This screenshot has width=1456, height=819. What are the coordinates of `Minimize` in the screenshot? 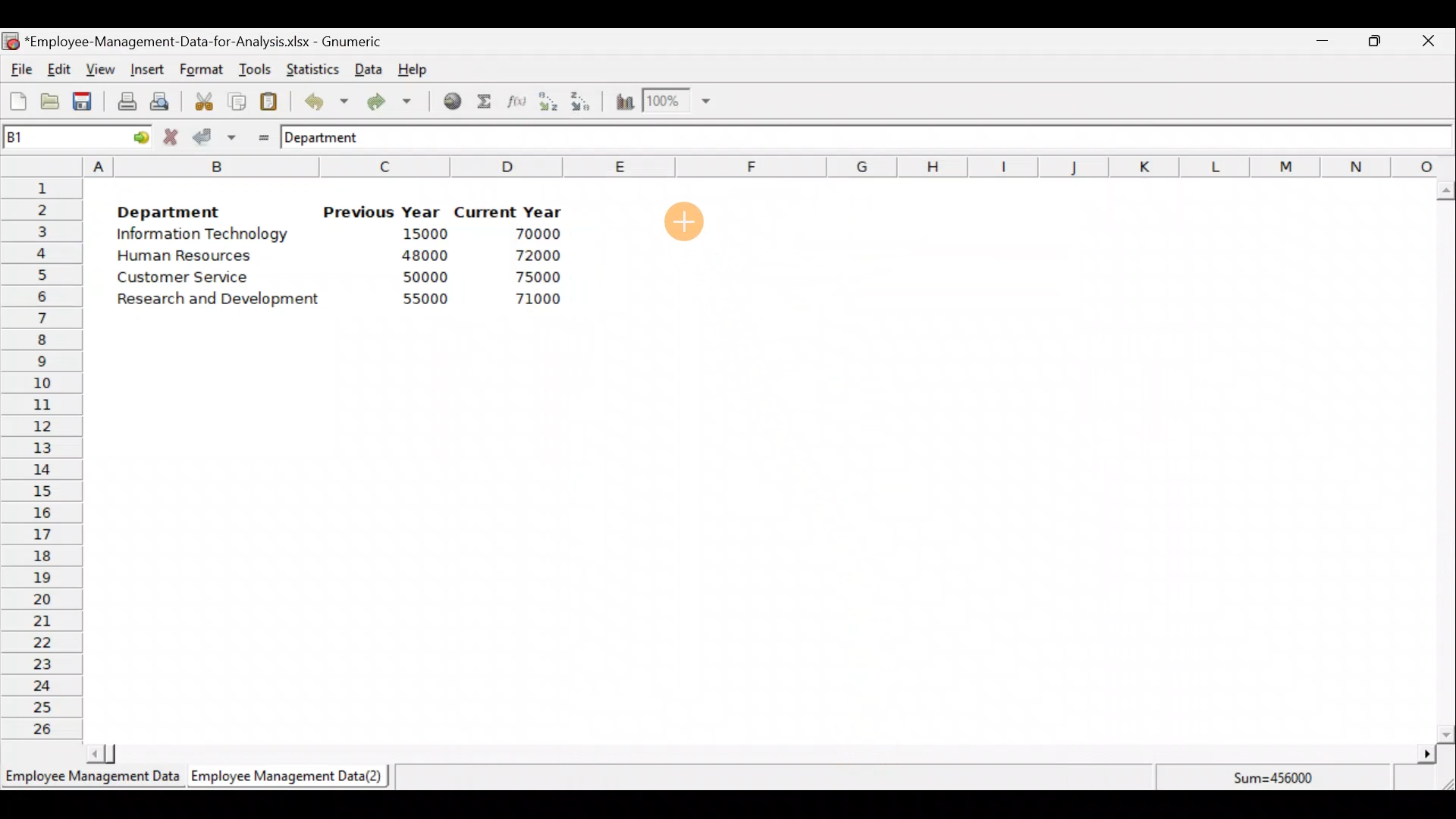 It's located at (1319, 44).